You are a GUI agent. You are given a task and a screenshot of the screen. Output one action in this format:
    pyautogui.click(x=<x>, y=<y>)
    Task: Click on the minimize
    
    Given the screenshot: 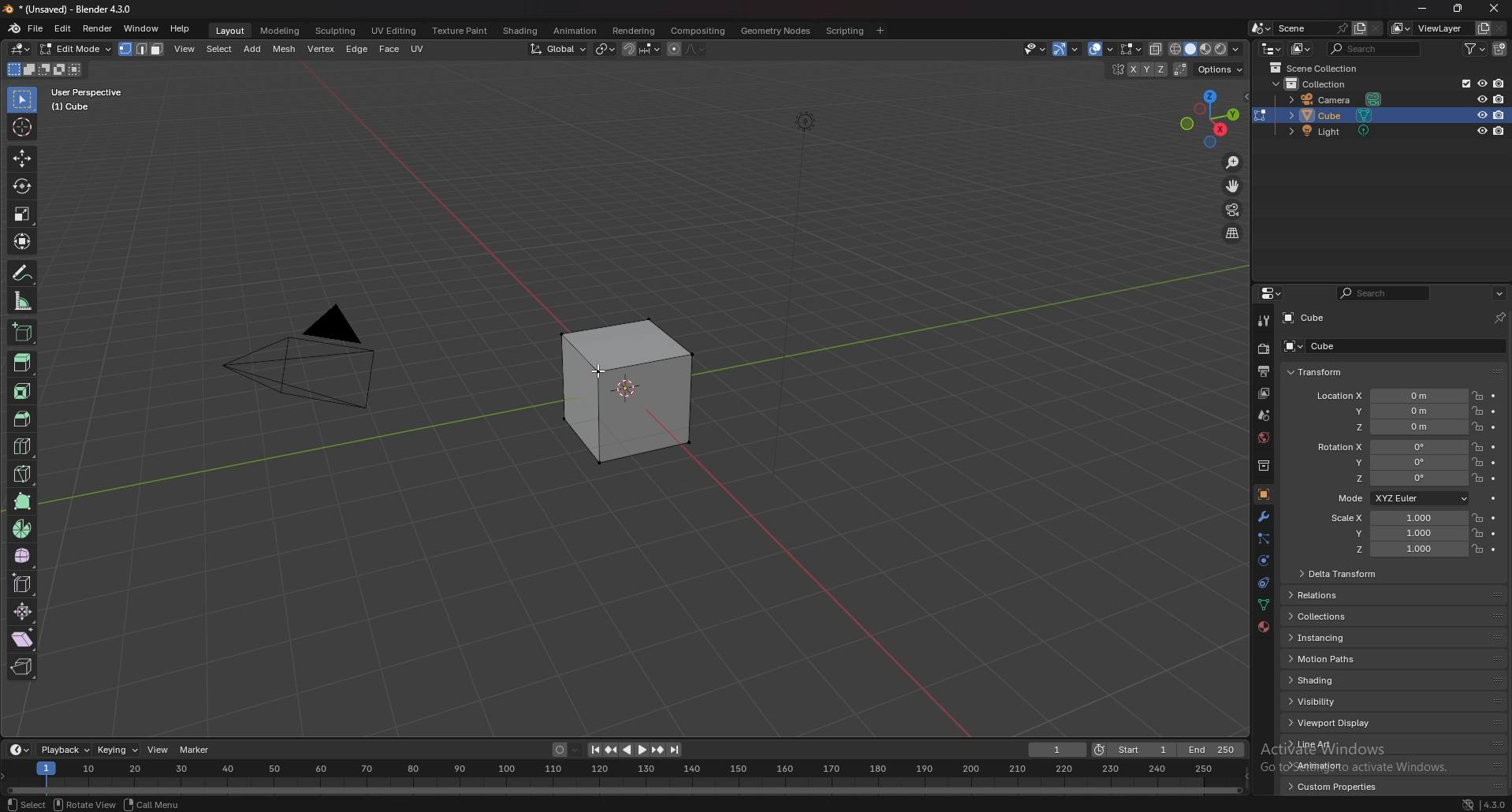 What is the action you would take?
    pyautogui.click(x=1422, y=9)
    